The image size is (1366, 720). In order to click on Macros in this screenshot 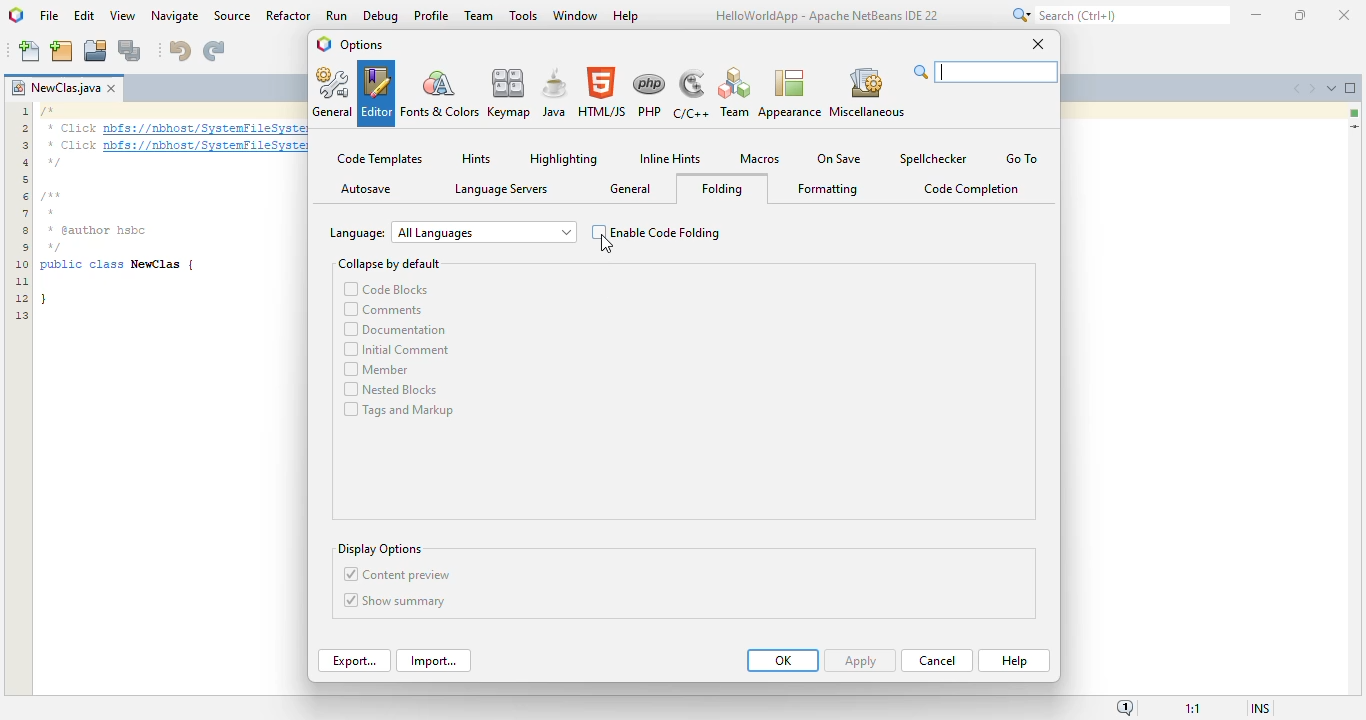, I will do `click(762, 159)`.